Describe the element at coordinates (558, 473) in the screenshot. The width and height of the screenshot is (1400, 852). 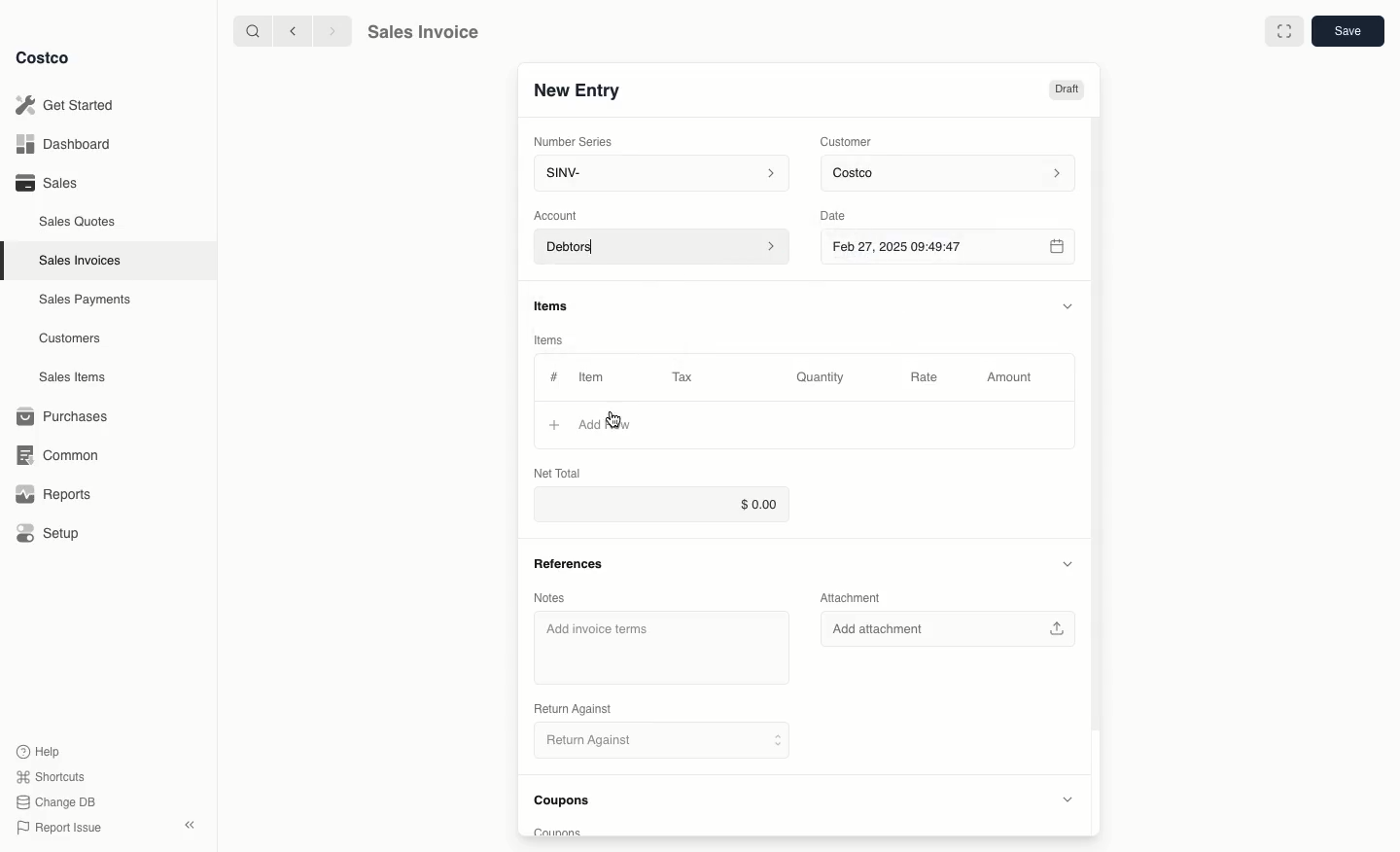
I see `Net Total` at that location.